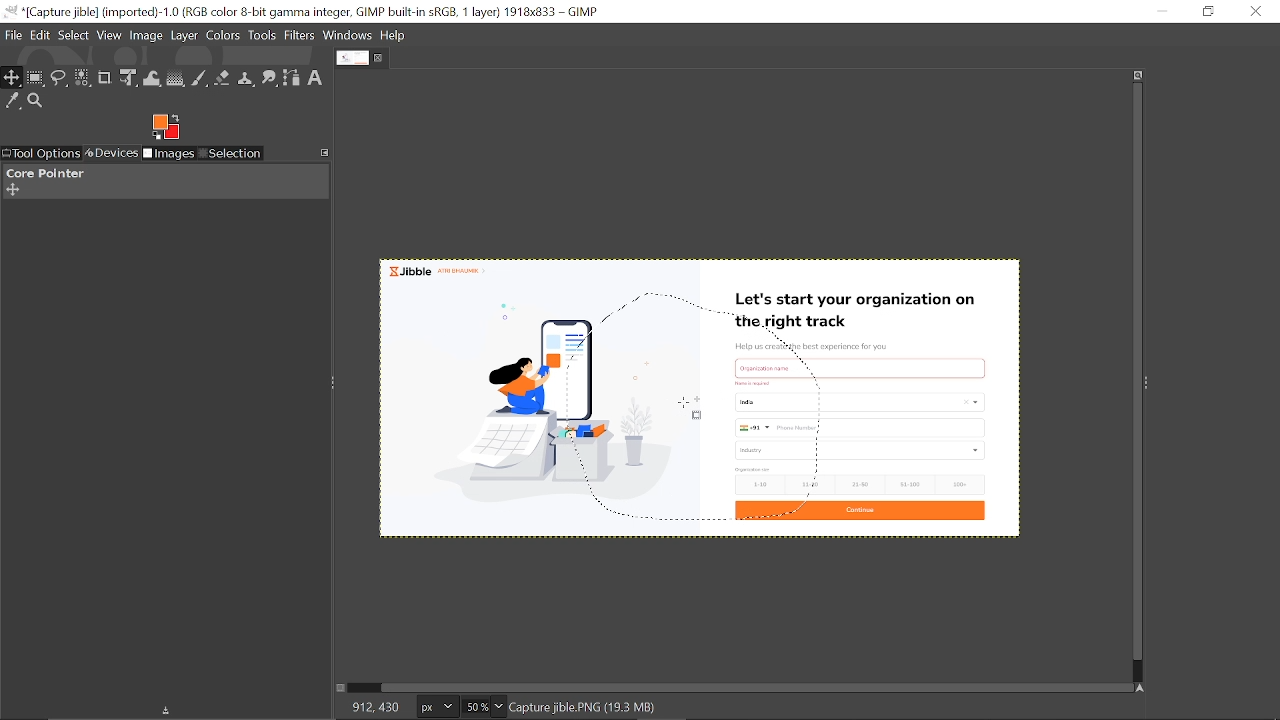 The image size is (1280, 720). What do you see at coordinates (200, 80) in the screenshot?
I see `Paintbrush tool` at bounding box center [200, 80].